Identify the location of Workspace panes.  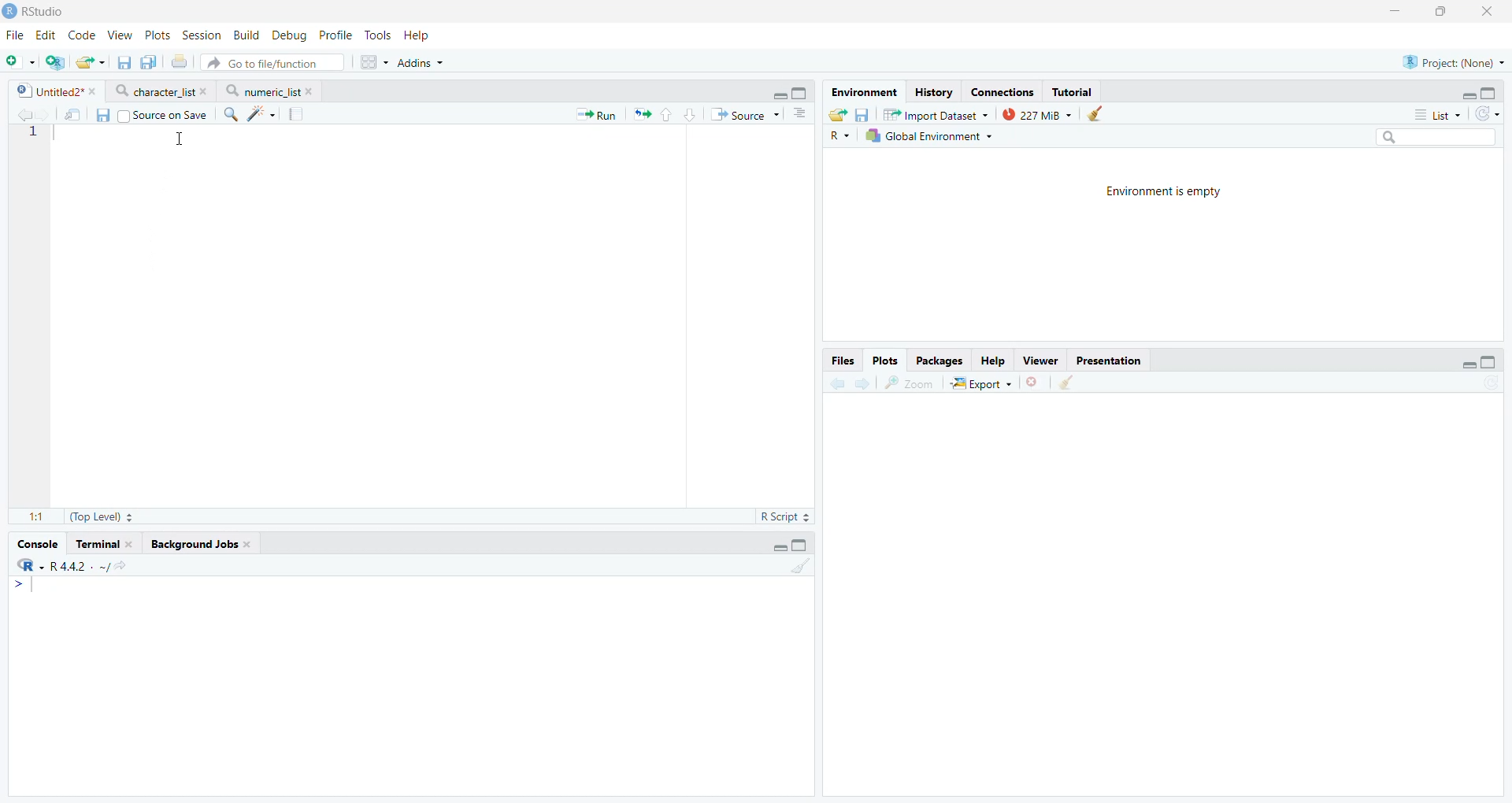
(372, 63).